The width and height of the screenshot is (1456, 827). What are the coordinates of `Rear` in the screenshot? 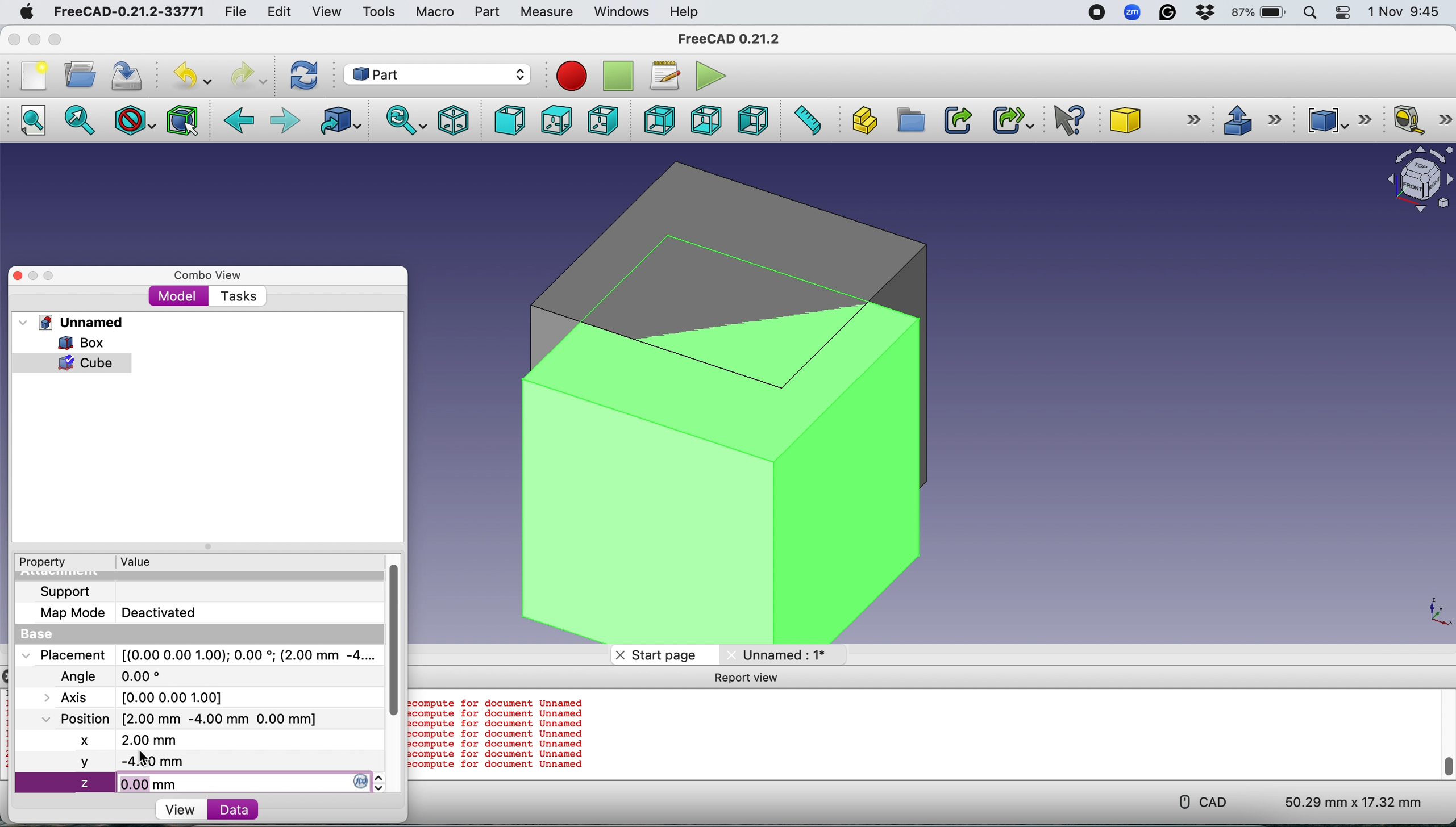 It's located at (656, 120).